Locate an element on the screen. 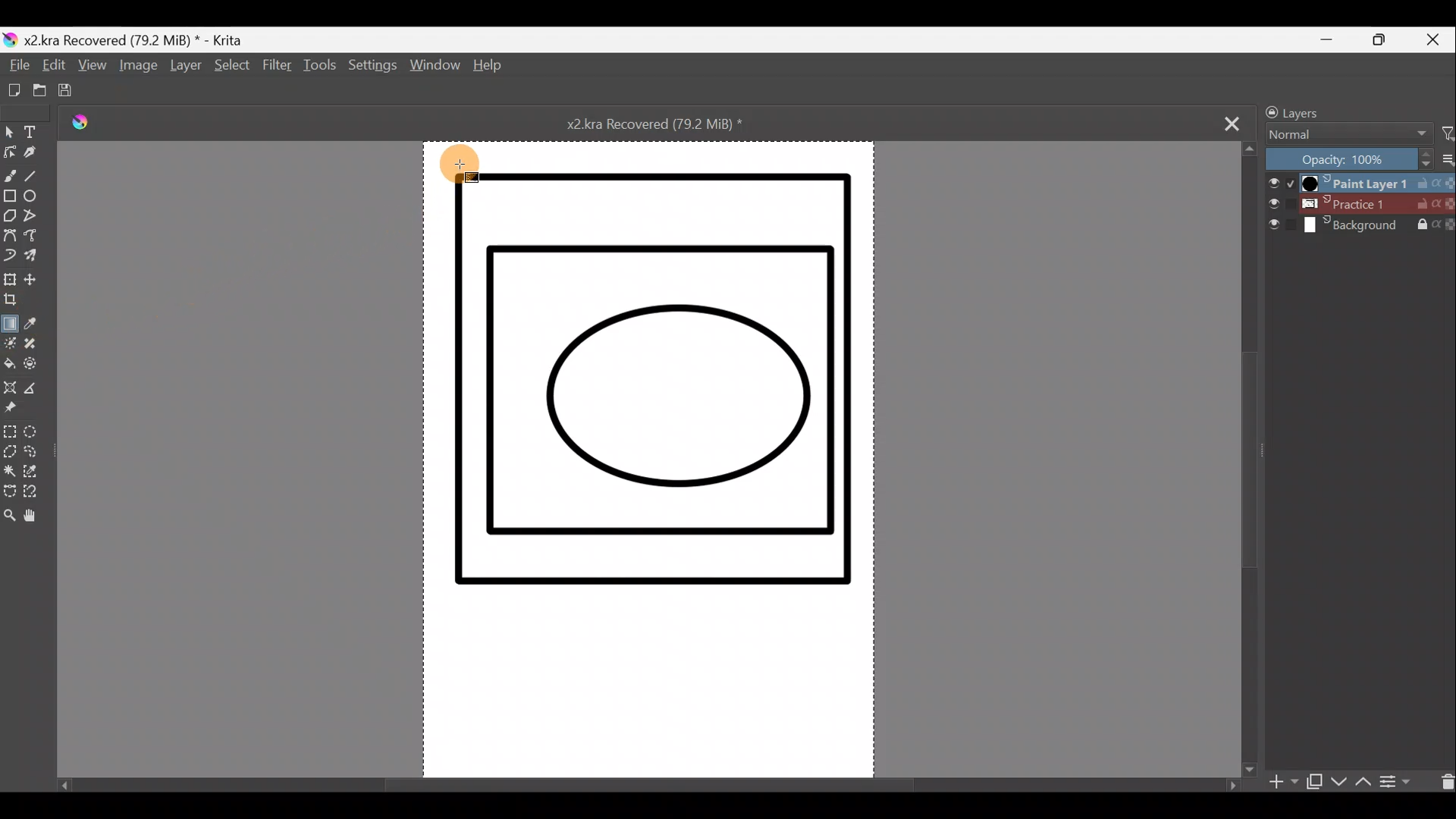  Minimise is located at coordinates (1334, 39).